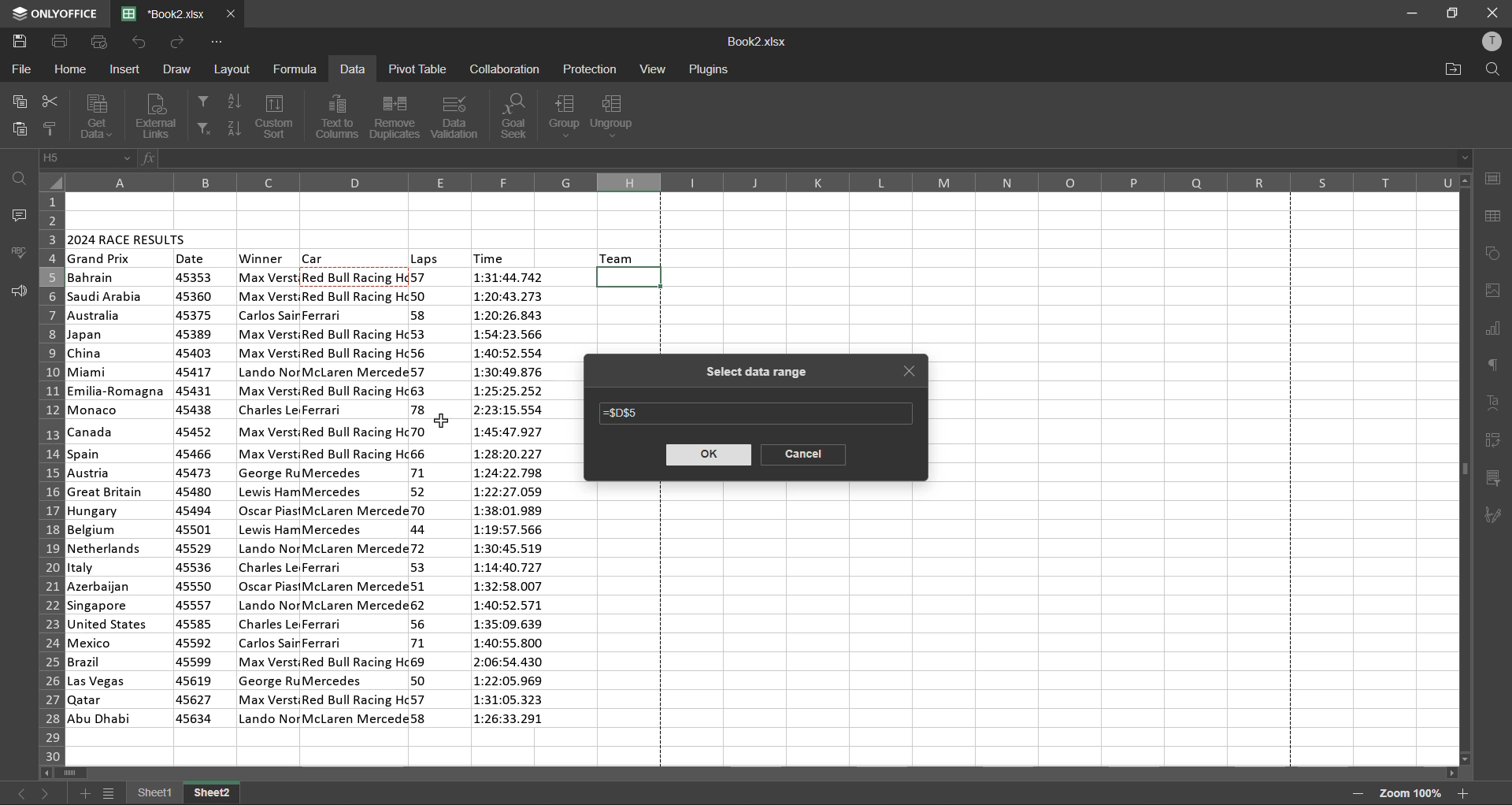 The width and height of the screenshot is (1512, 805). I want to click on find, so click(22, 178).